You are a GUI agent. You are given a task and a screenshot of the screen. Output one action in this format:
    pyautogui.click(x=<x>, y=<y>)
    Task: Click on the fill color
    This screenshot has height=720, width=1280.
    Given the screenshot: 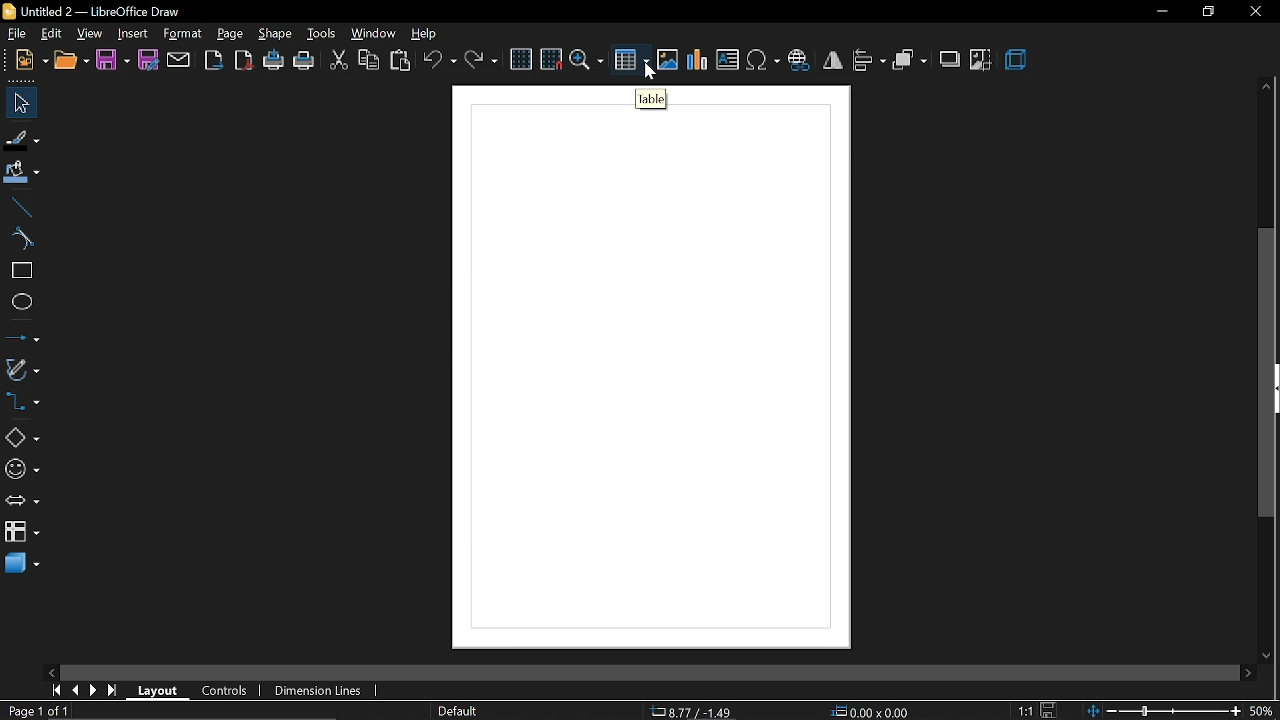 What is the action you would take?
    pyautogui.click(x=22, y=176)
    